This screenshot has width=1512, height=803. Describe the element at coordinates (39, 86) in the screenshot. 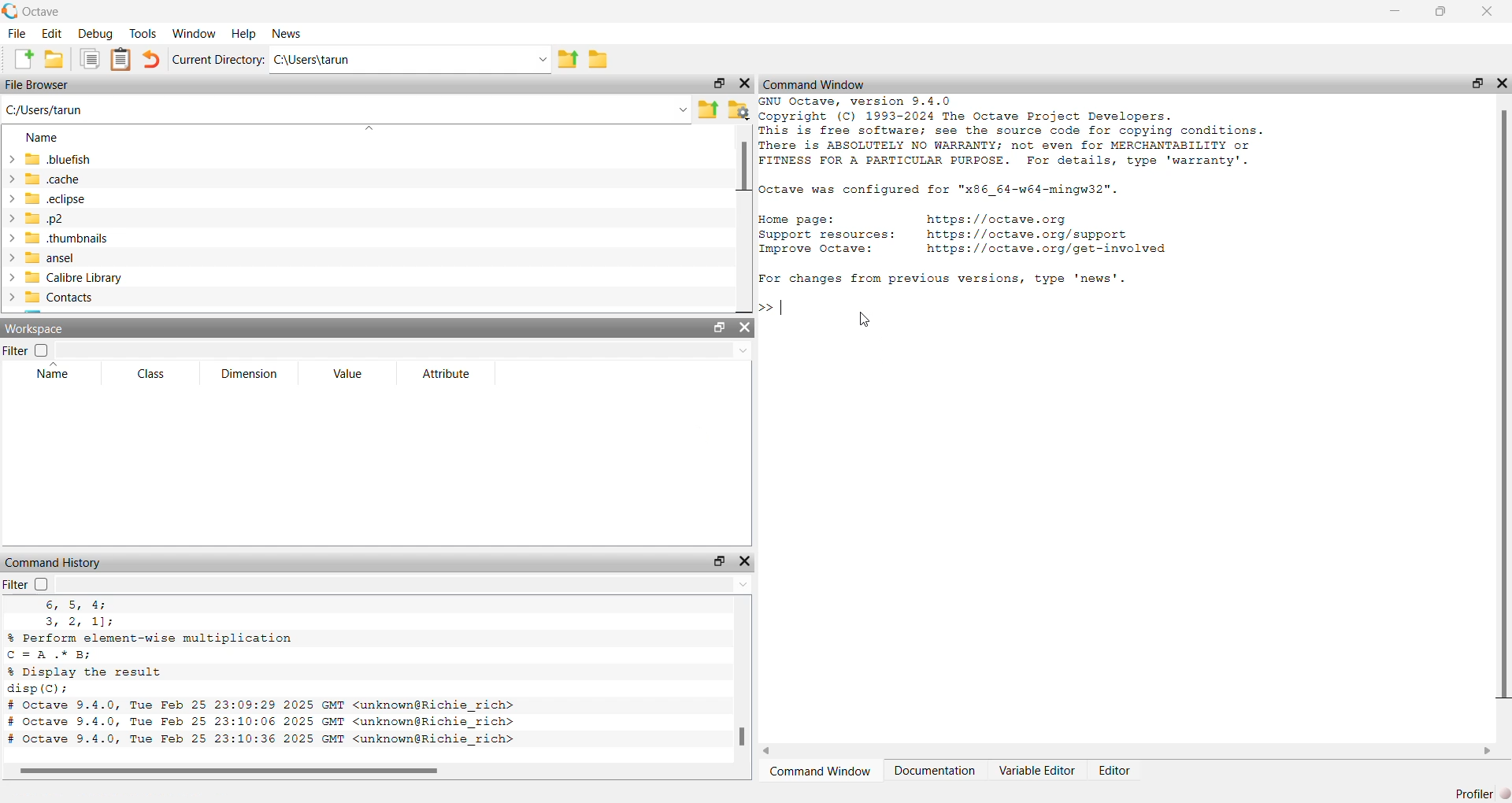

I see `File Browser` at that location.